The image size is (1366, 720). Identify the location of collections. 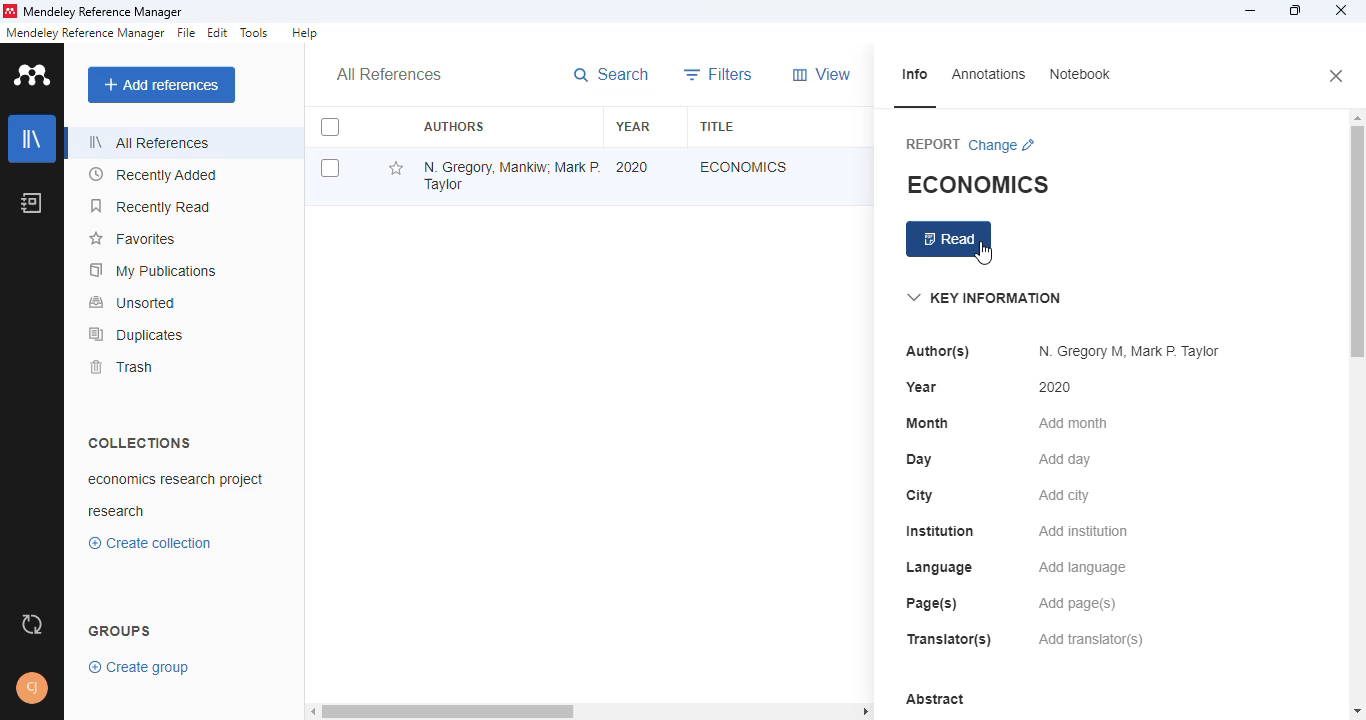
(140, 442).